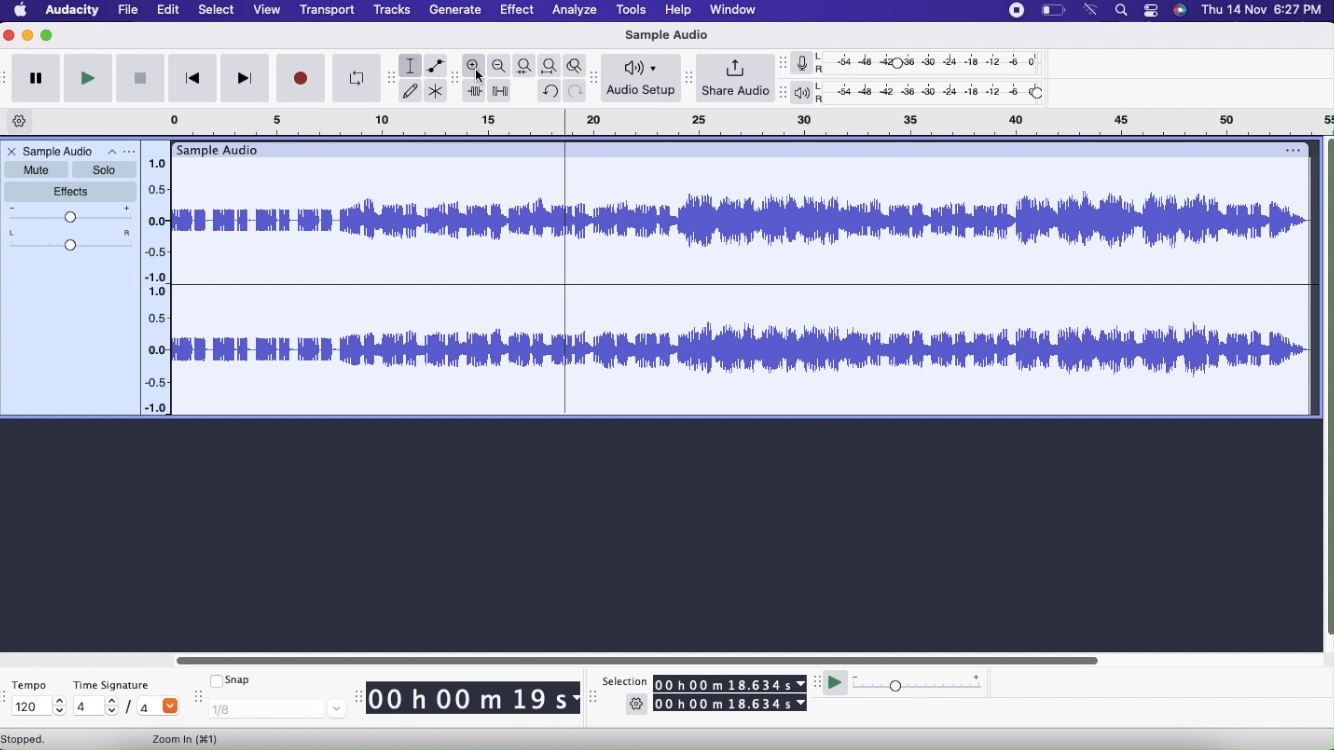 The height and width of the screenshot is (750, 1334). Describe the element at coordinates (550, 91) in the screenshot. I see `Undo` at that location.